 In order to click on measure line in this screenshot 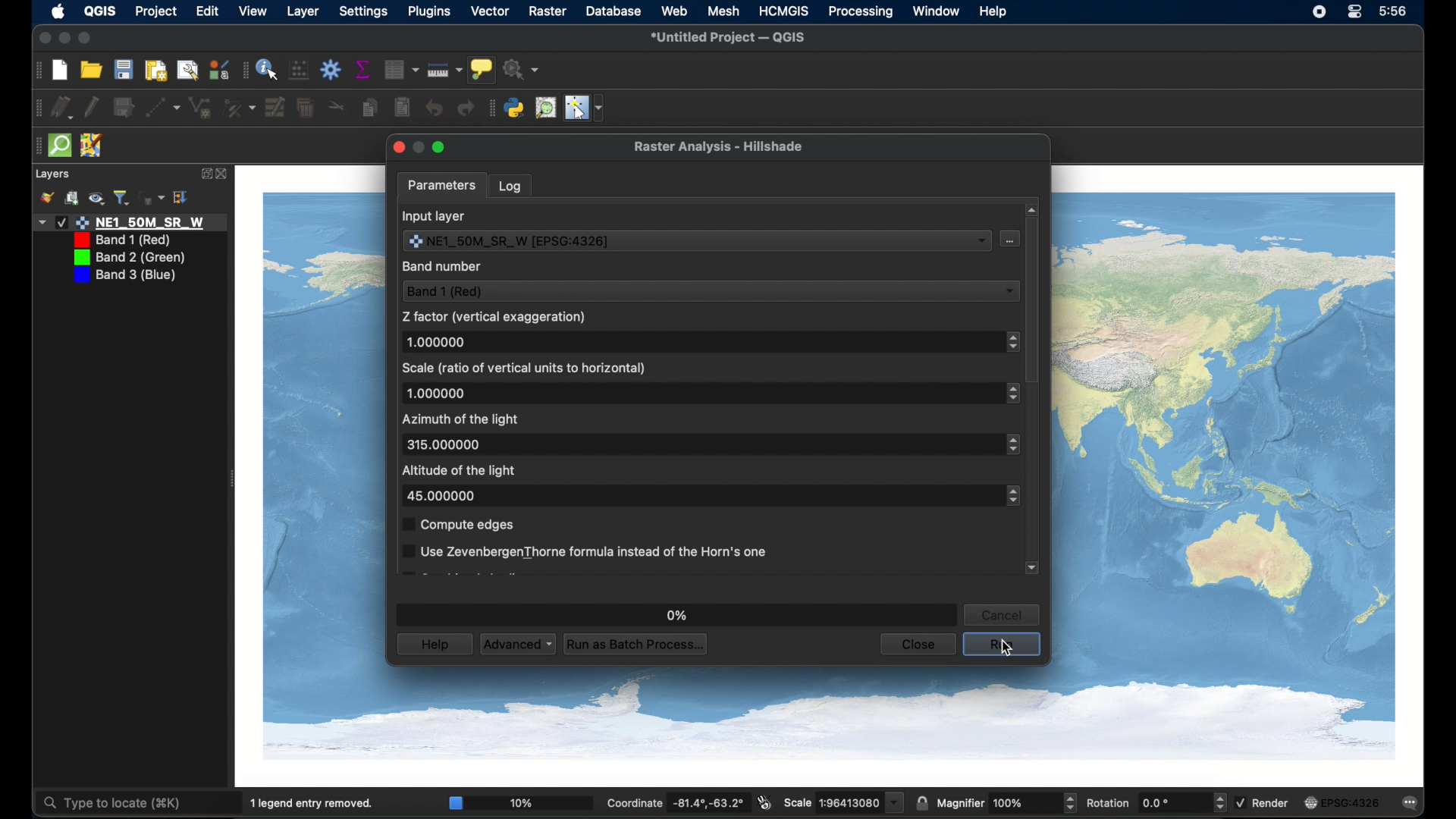, I will do `click(444, 70)`.